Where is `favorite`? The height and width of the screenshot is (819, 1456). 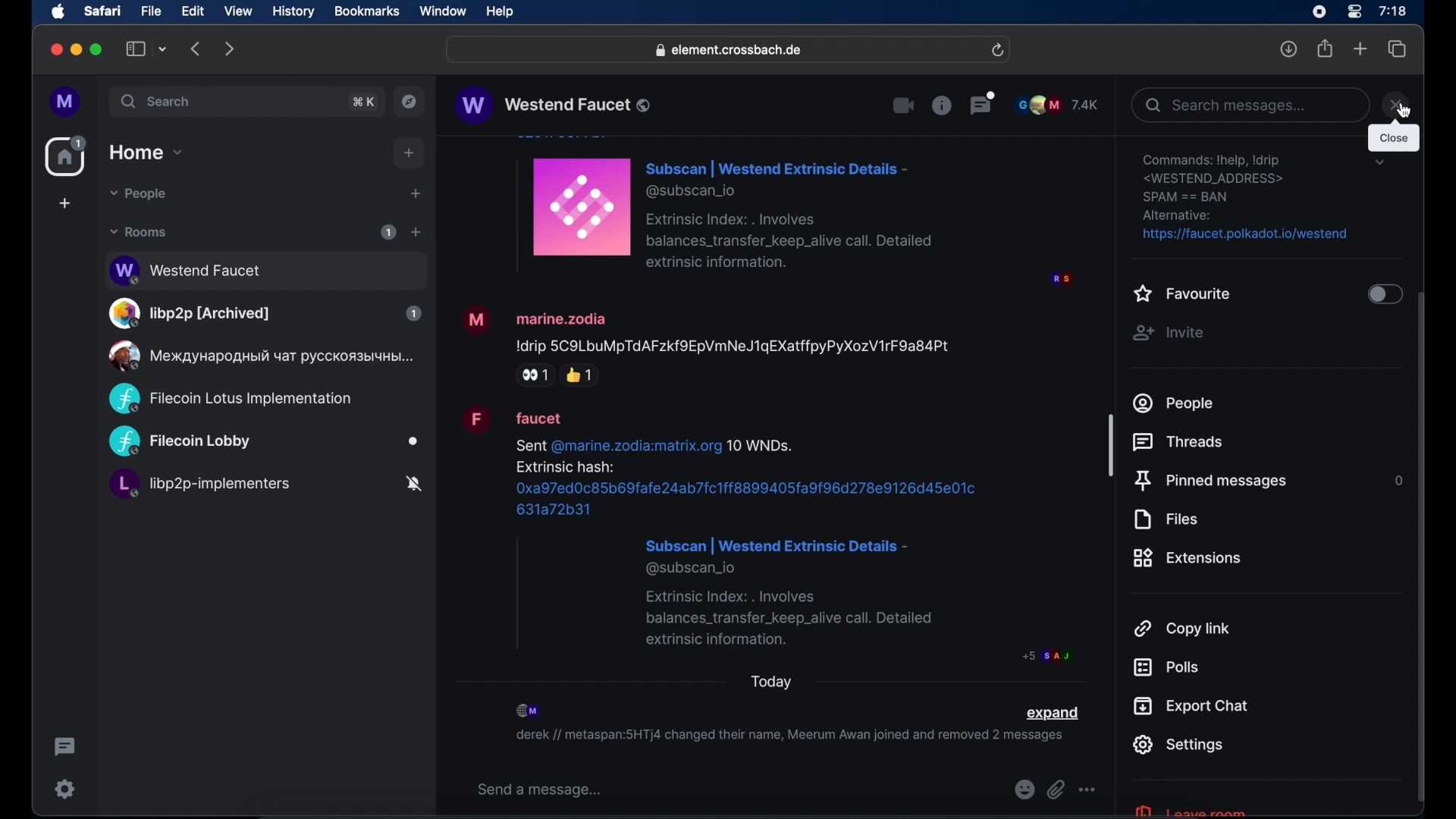 favorite is located at coordinates (1183, 295).